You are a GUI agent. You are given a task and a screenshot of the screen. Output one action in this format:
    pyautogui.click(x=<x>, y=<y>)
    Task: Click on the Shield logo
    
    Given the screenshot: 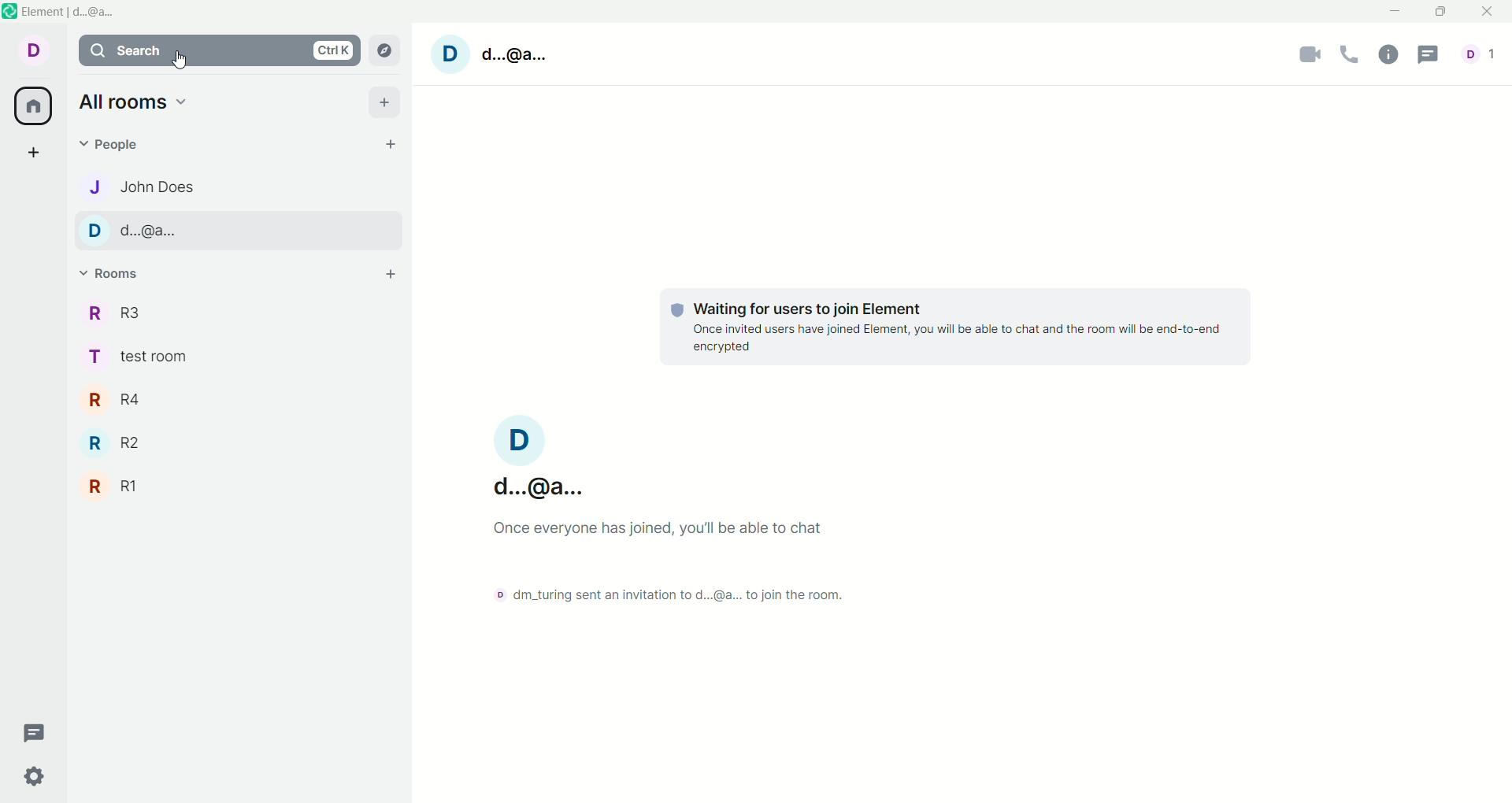 What is the action you would take?
    pyautogui.click(x=677, y=309)
    